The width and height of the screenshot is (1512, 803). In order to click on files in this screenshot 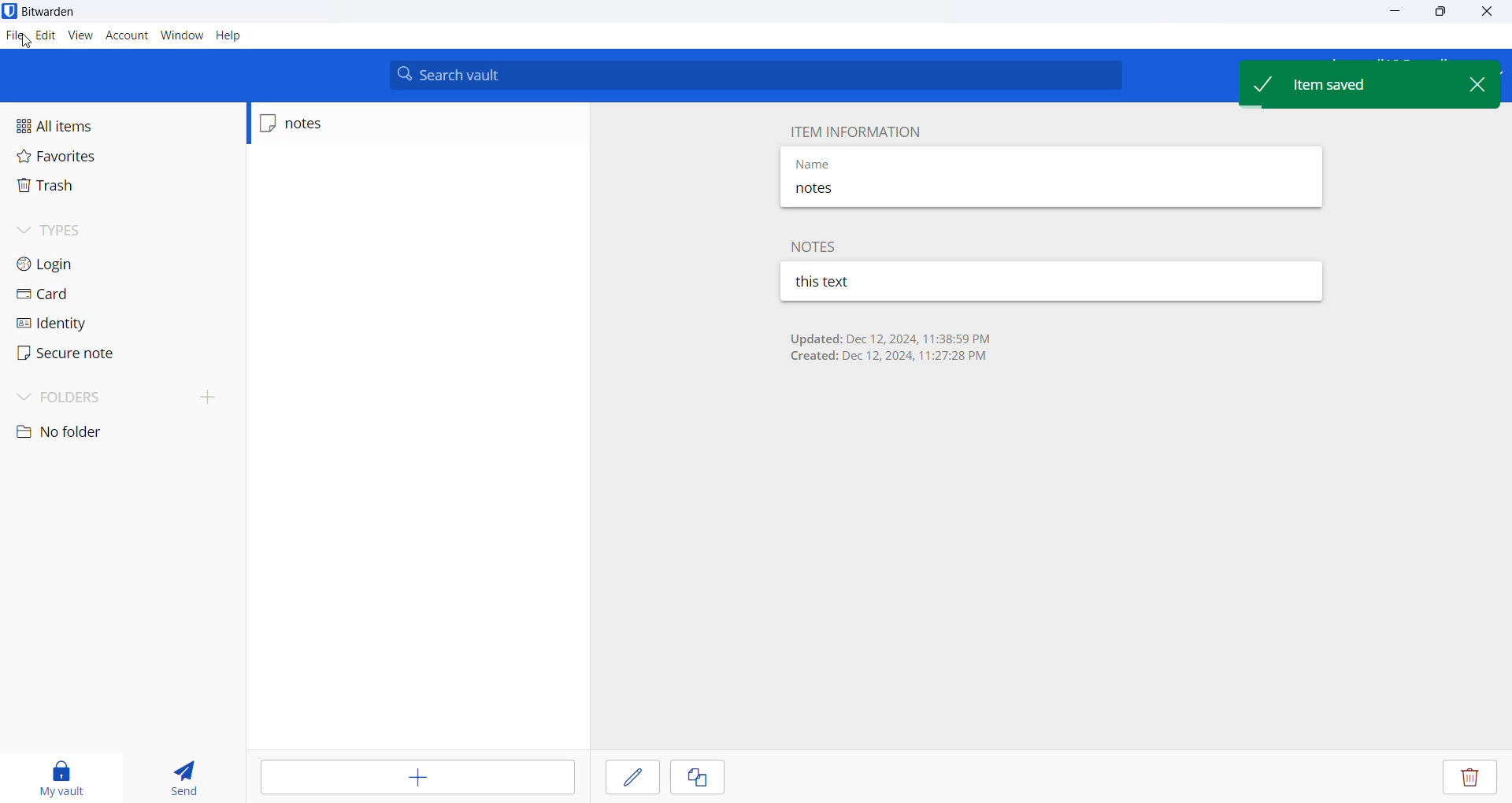, I will do `click(12, 33)`.